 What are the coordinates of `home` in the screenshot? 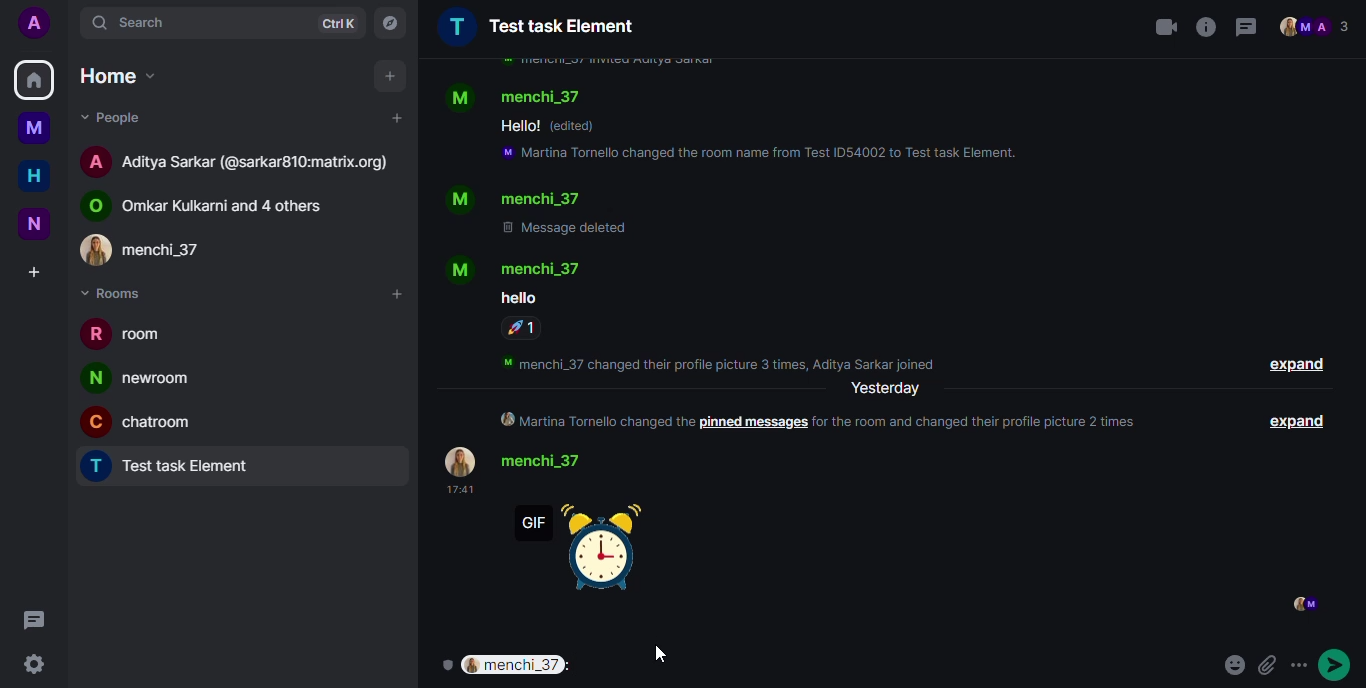 It's located at (34, 177).